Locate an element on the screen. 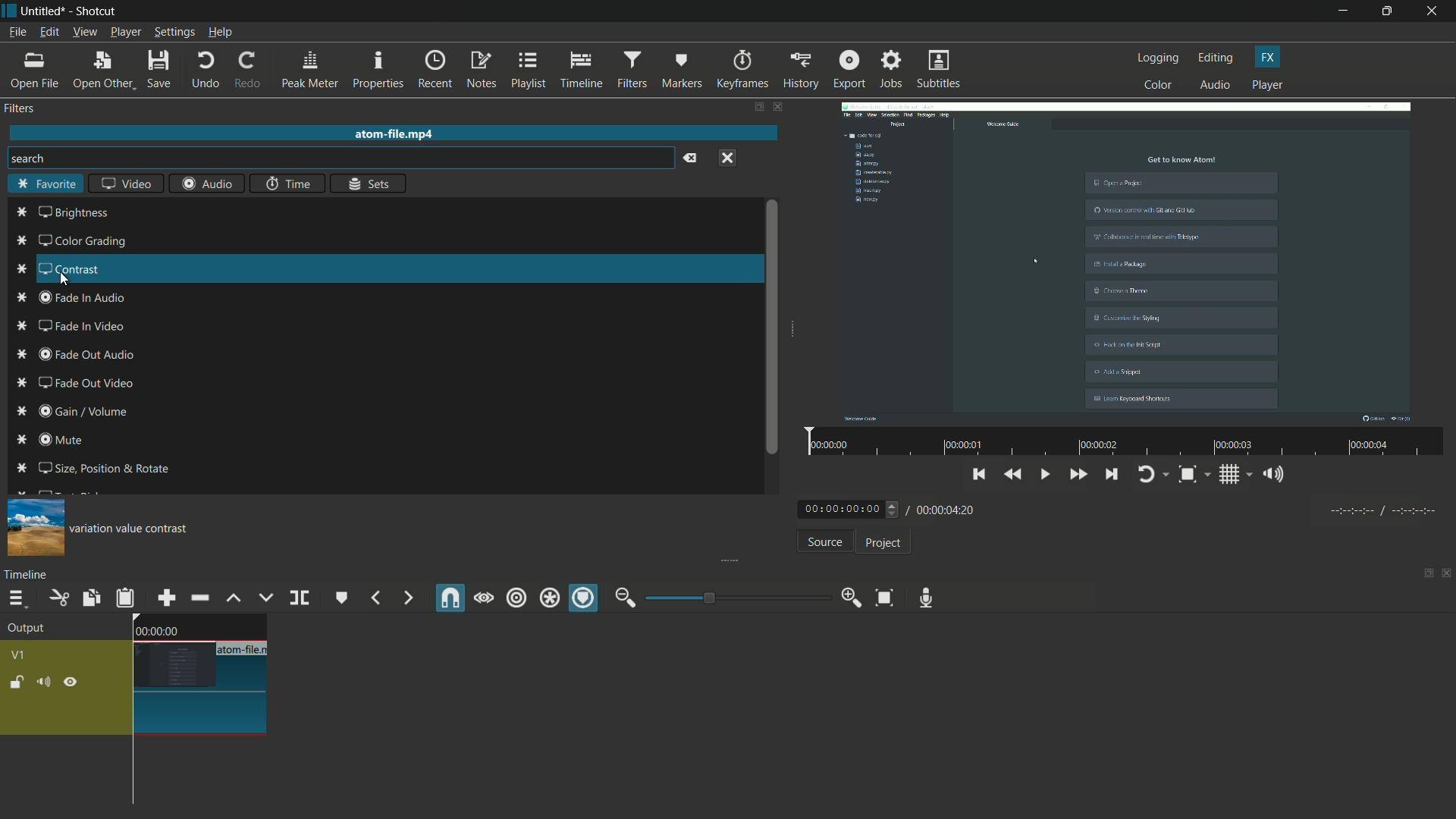  video is located at coordinates (1126, 260).